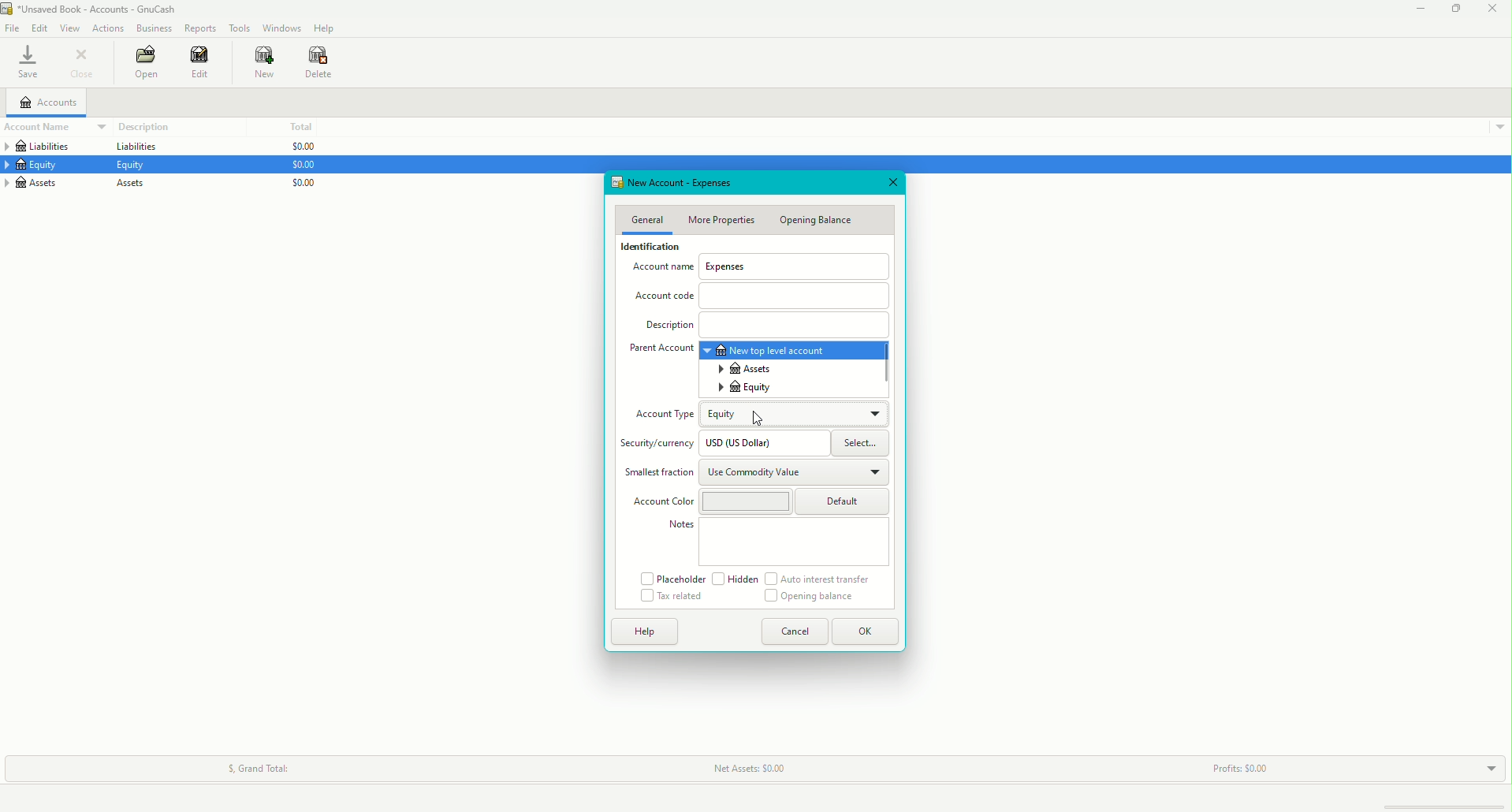  What do you see at coordinates (1240, 765) in the screenshot?
I see `Profits` at bounding box center [1240, 765].